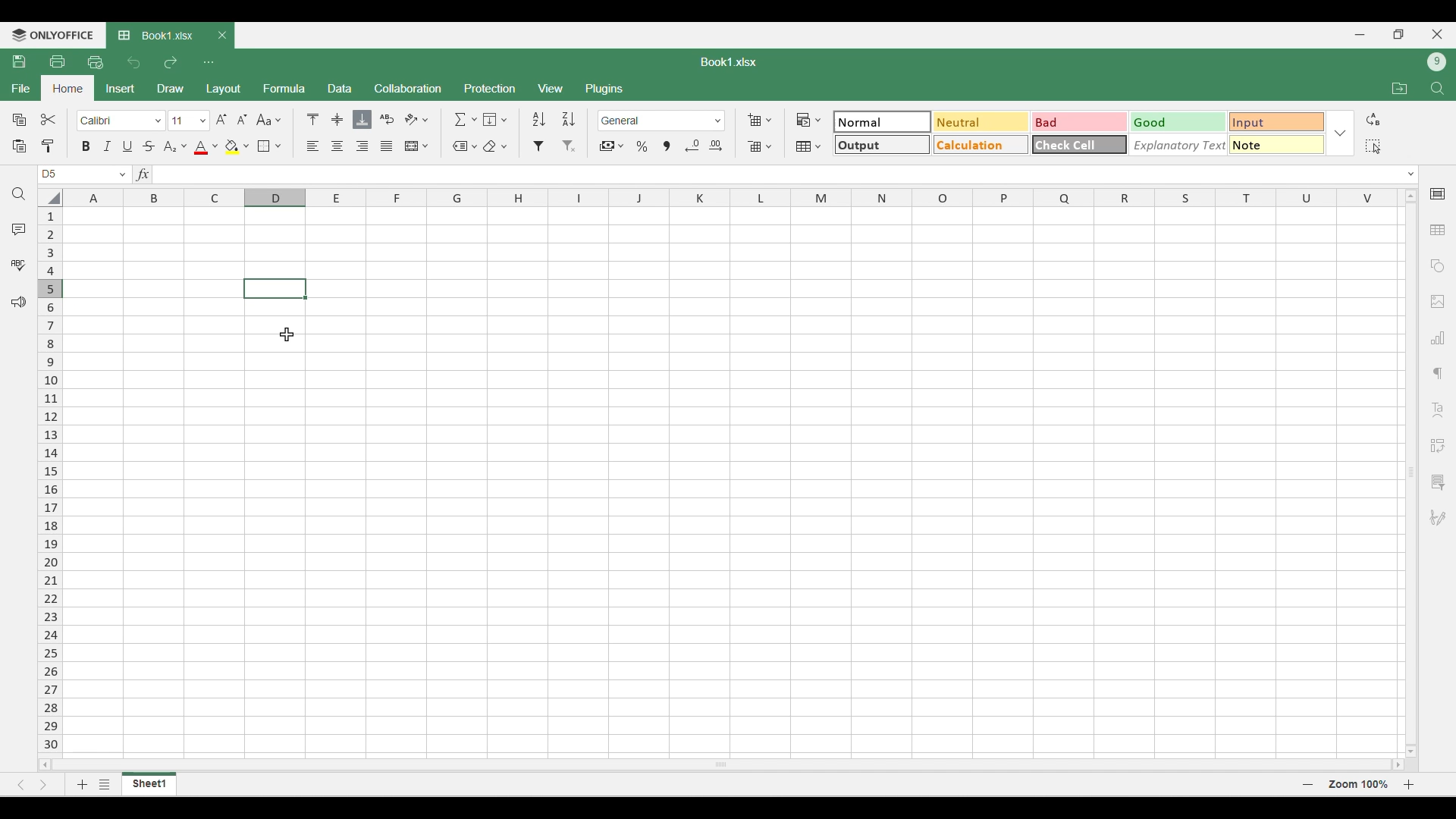 The width and height of the screenshot is (1456, 819). What do you see at coordinates (20, 785) in the screenshot?
I see `Previous` at bounding box center [20, 785].